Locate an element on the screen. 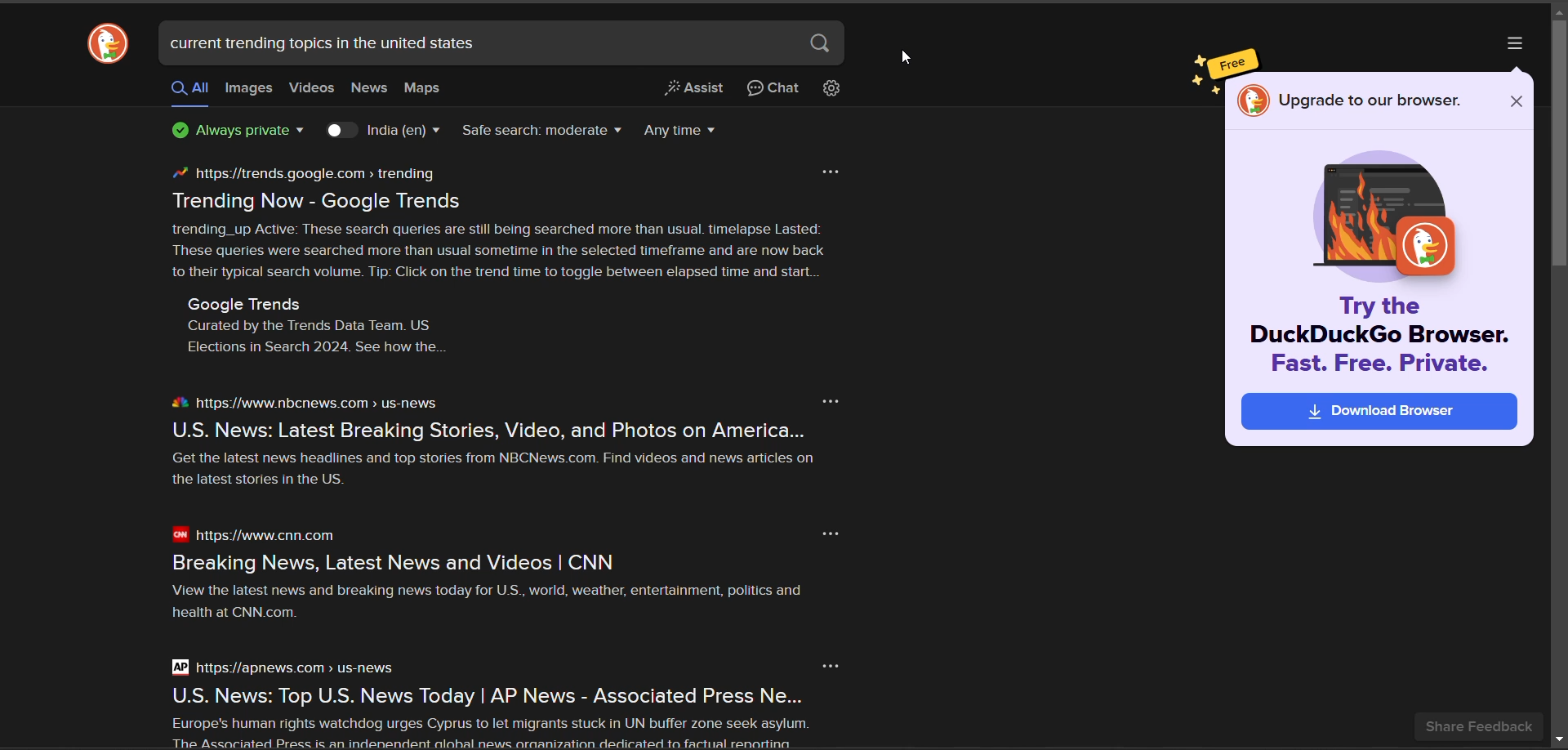 This screenshot has width=1568, height=750. U.S. News: Latest Breaking Stories, Video, and Photos on America... is located at coordinates (492, 429).